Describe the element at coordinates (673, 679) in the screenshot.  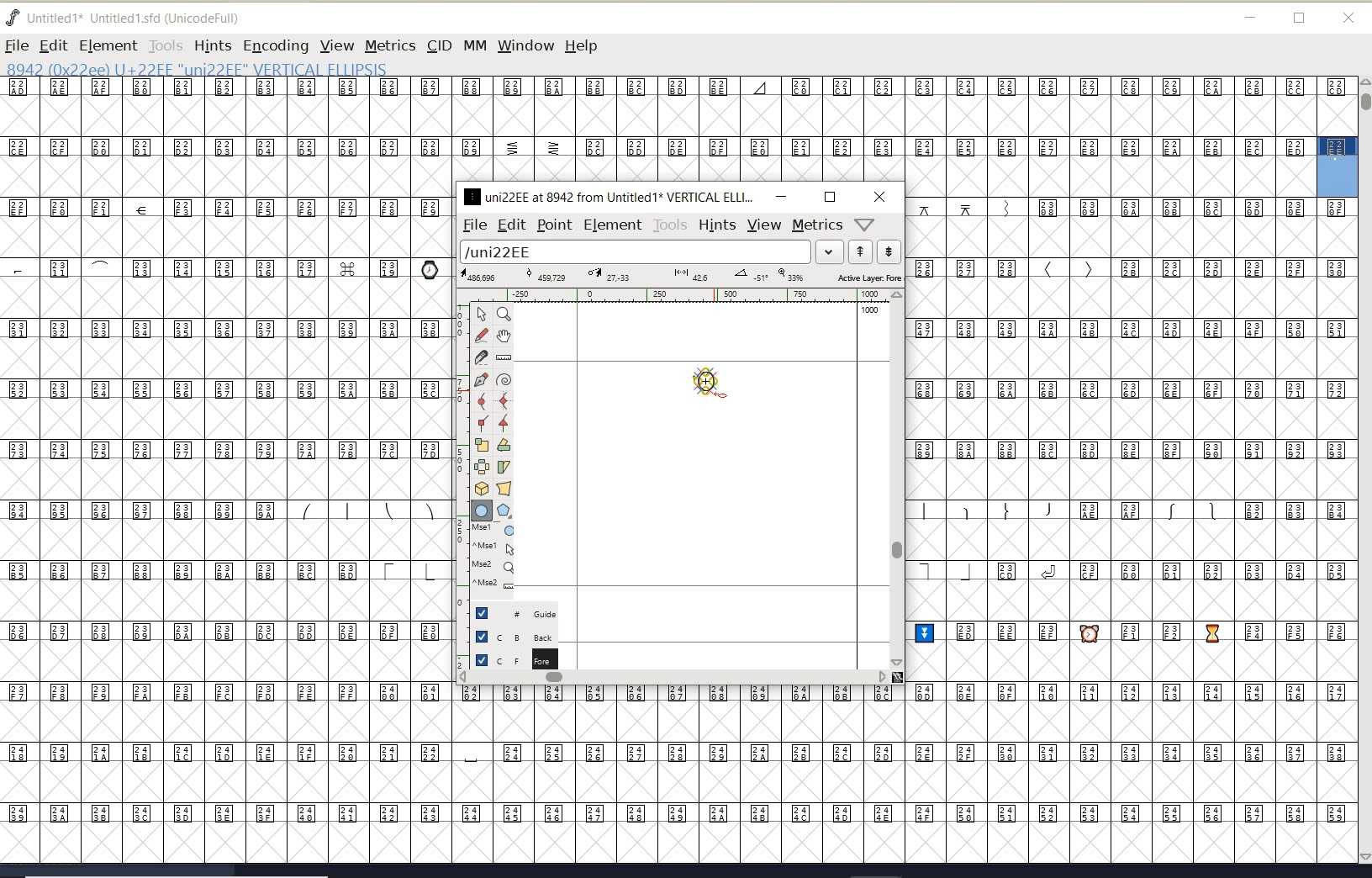
I see `scrollbar` at that location.